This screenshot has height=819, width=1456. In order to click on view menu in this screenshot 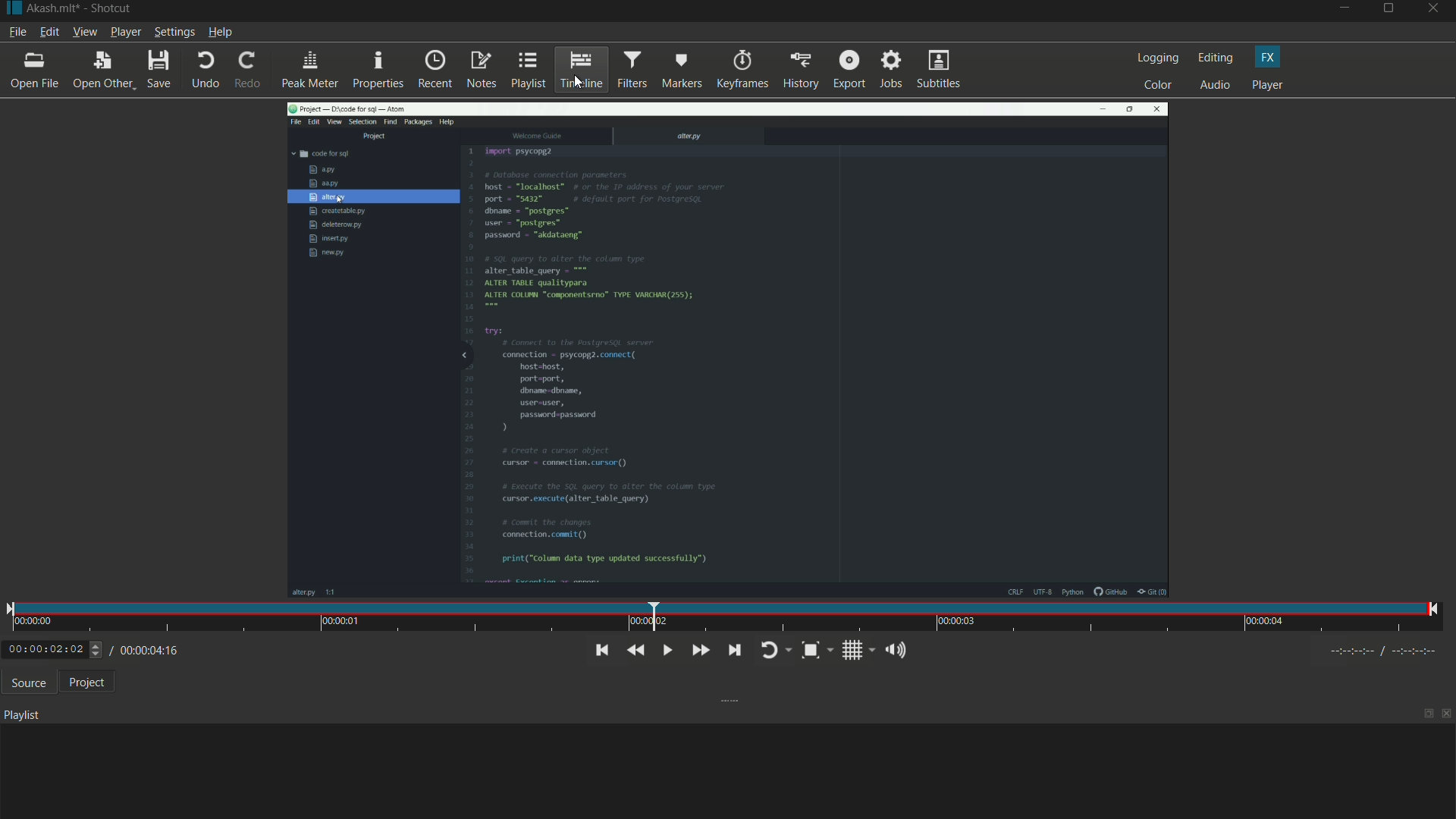, I will do `click(83, 32)`.